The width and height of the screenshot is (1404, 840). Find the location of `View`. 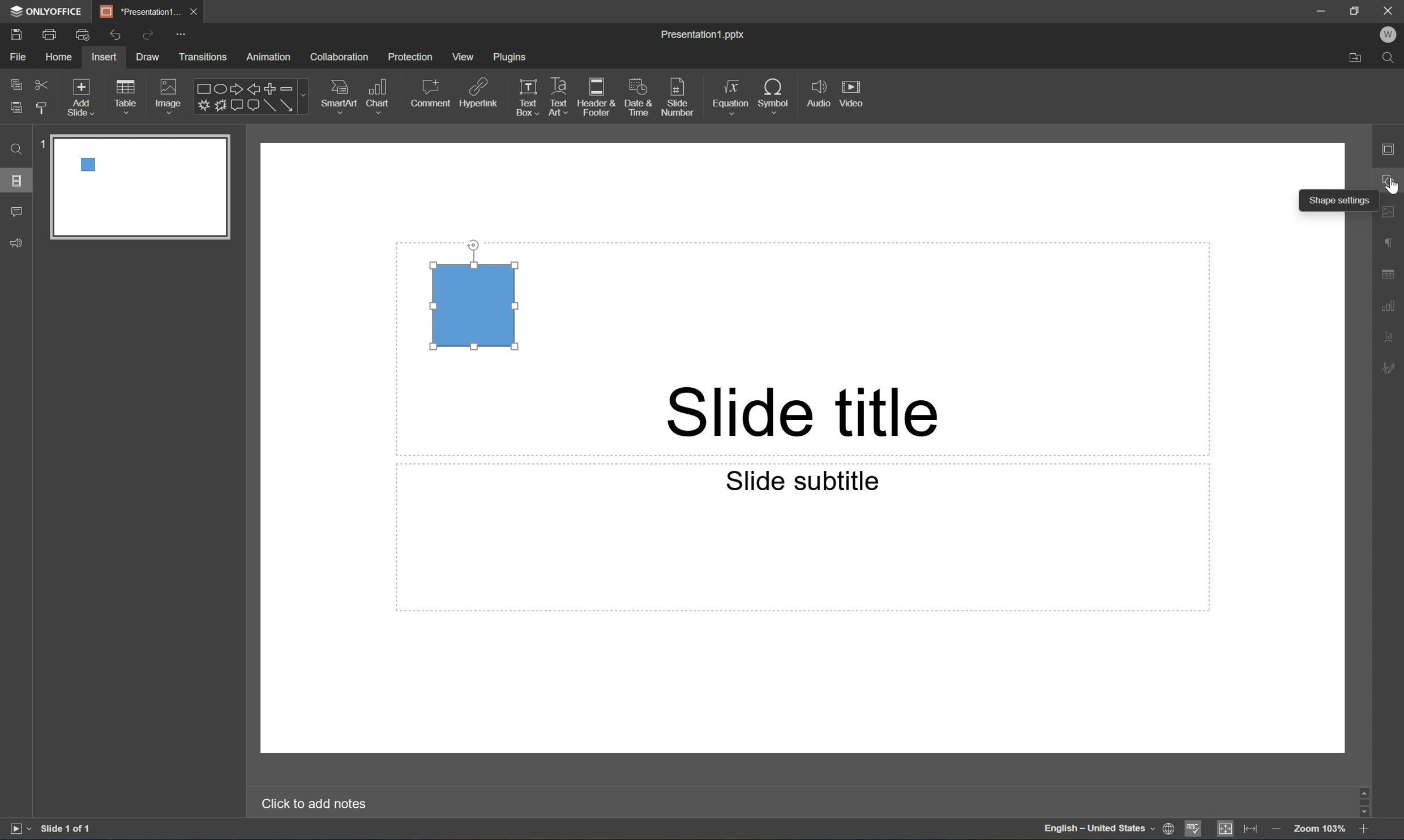

View is located at coordinates (464, 57).